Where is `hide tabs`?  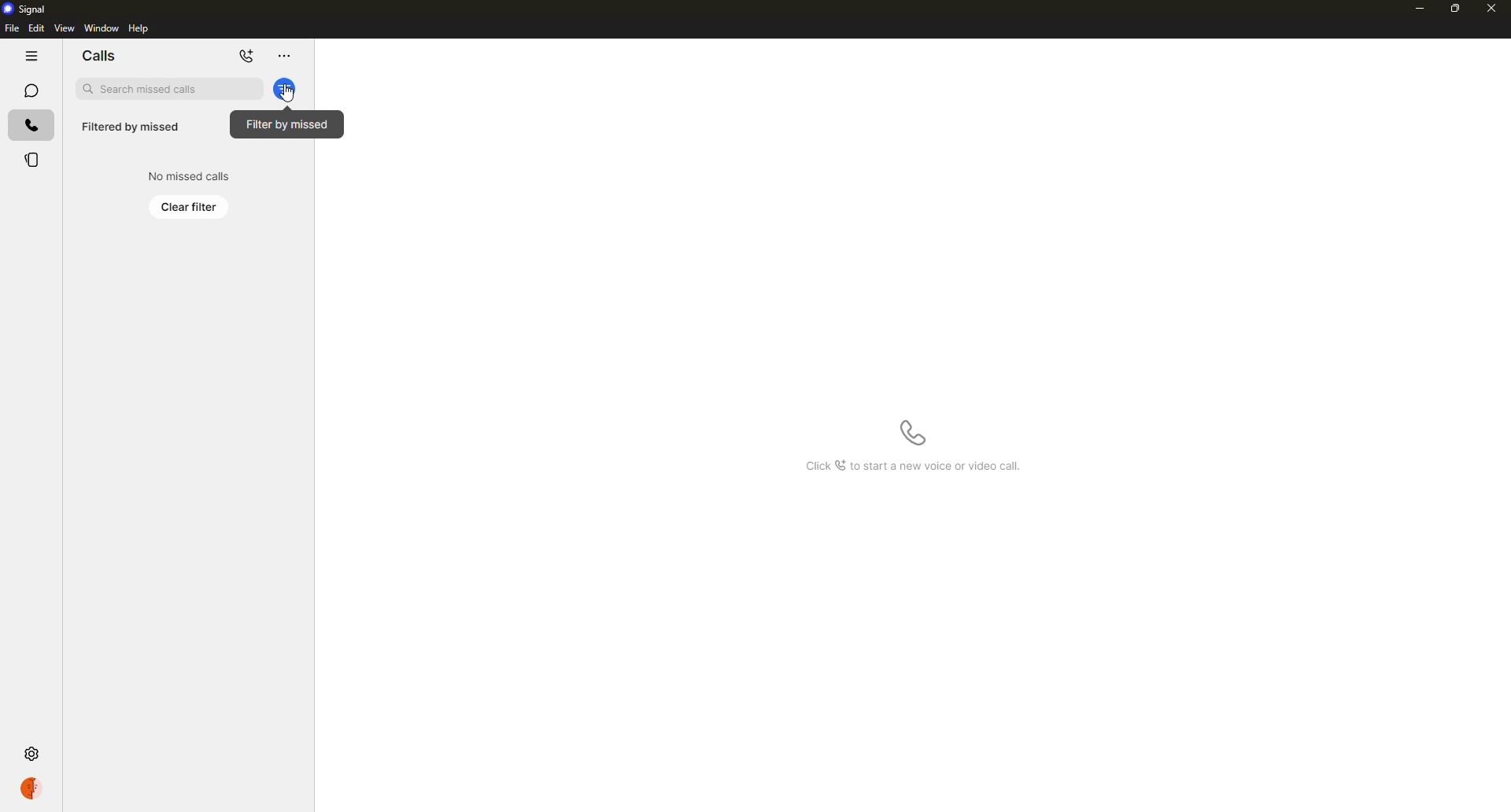
hide tabs is located at coordinates (31, 57).